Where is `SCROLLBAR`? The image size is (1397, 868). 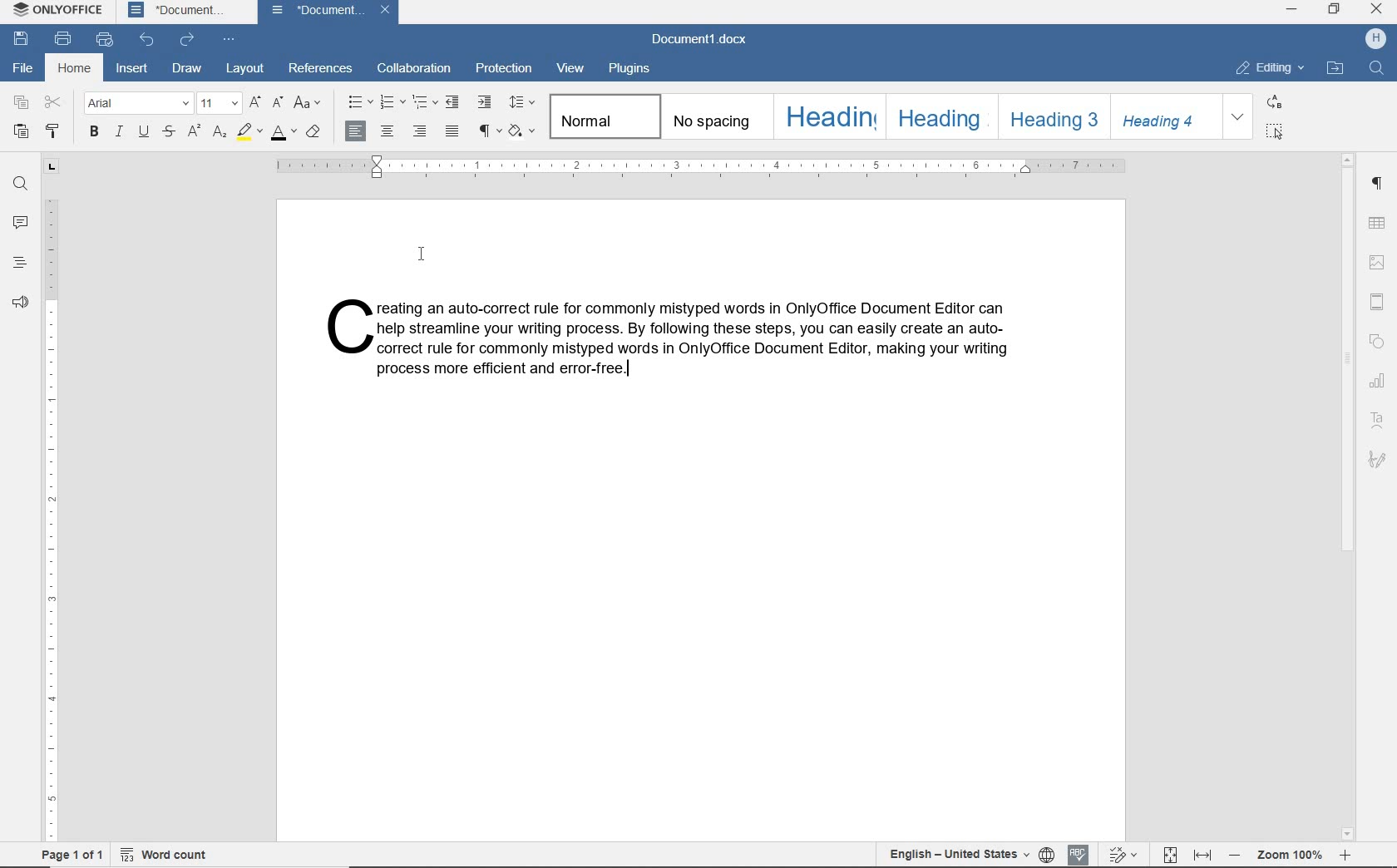 SCROLLBAR is located at coordinates (1348, 496).